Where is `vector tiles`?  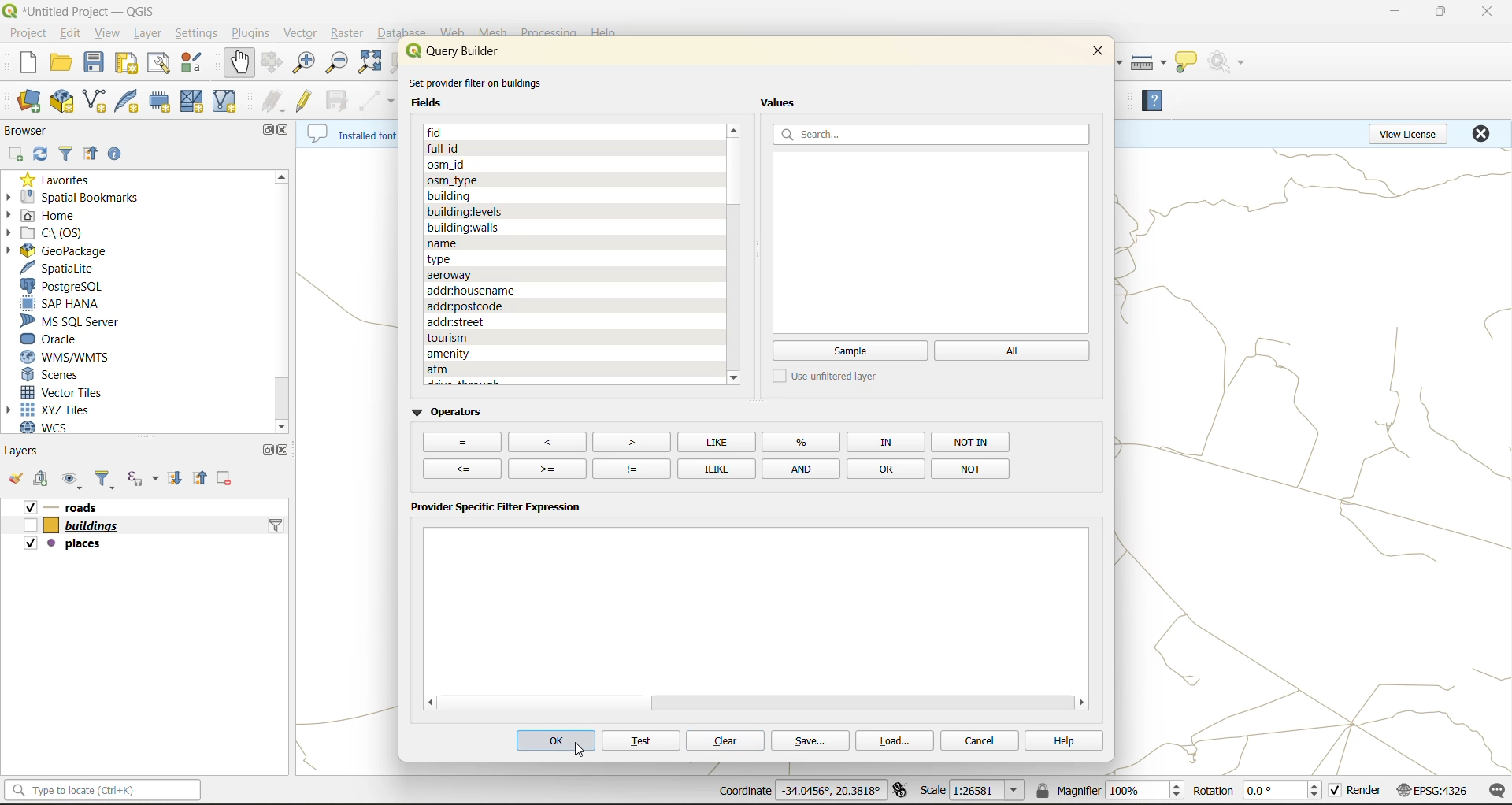 vector tiles is located at coordinates (69, 393).